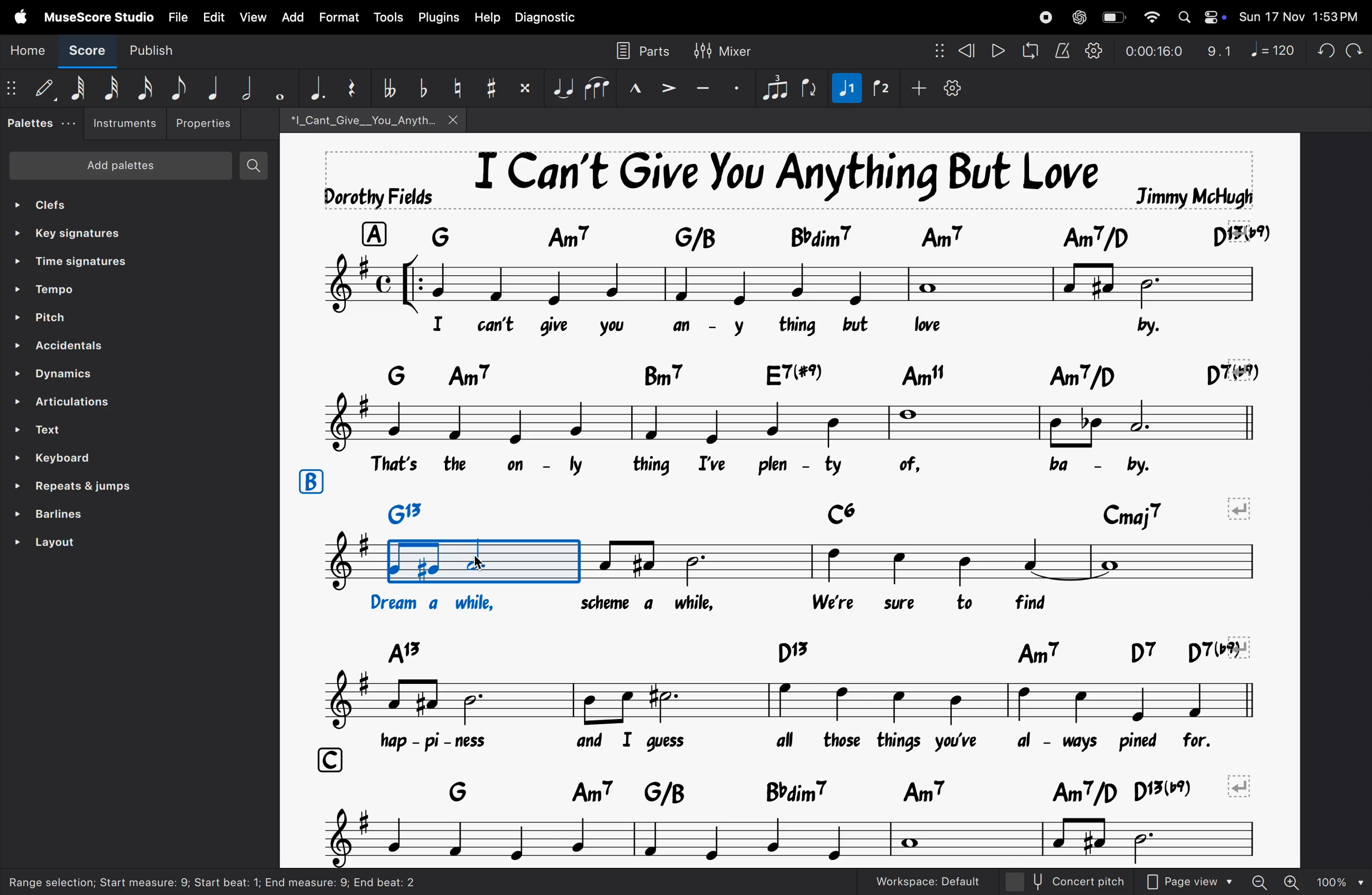  I want to click on Dynamics, so click(61, 373).